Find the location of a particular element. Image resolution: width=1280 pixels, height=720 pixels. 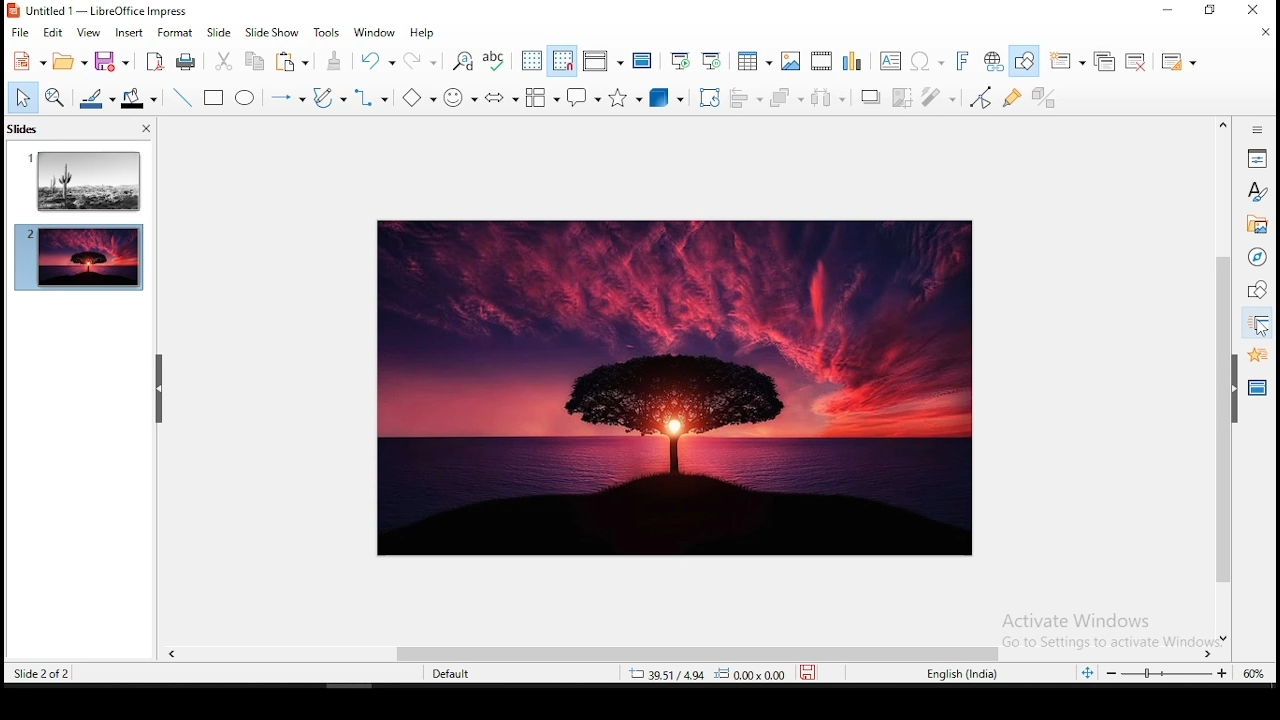

new slide is located at coordinates (1065, 61).